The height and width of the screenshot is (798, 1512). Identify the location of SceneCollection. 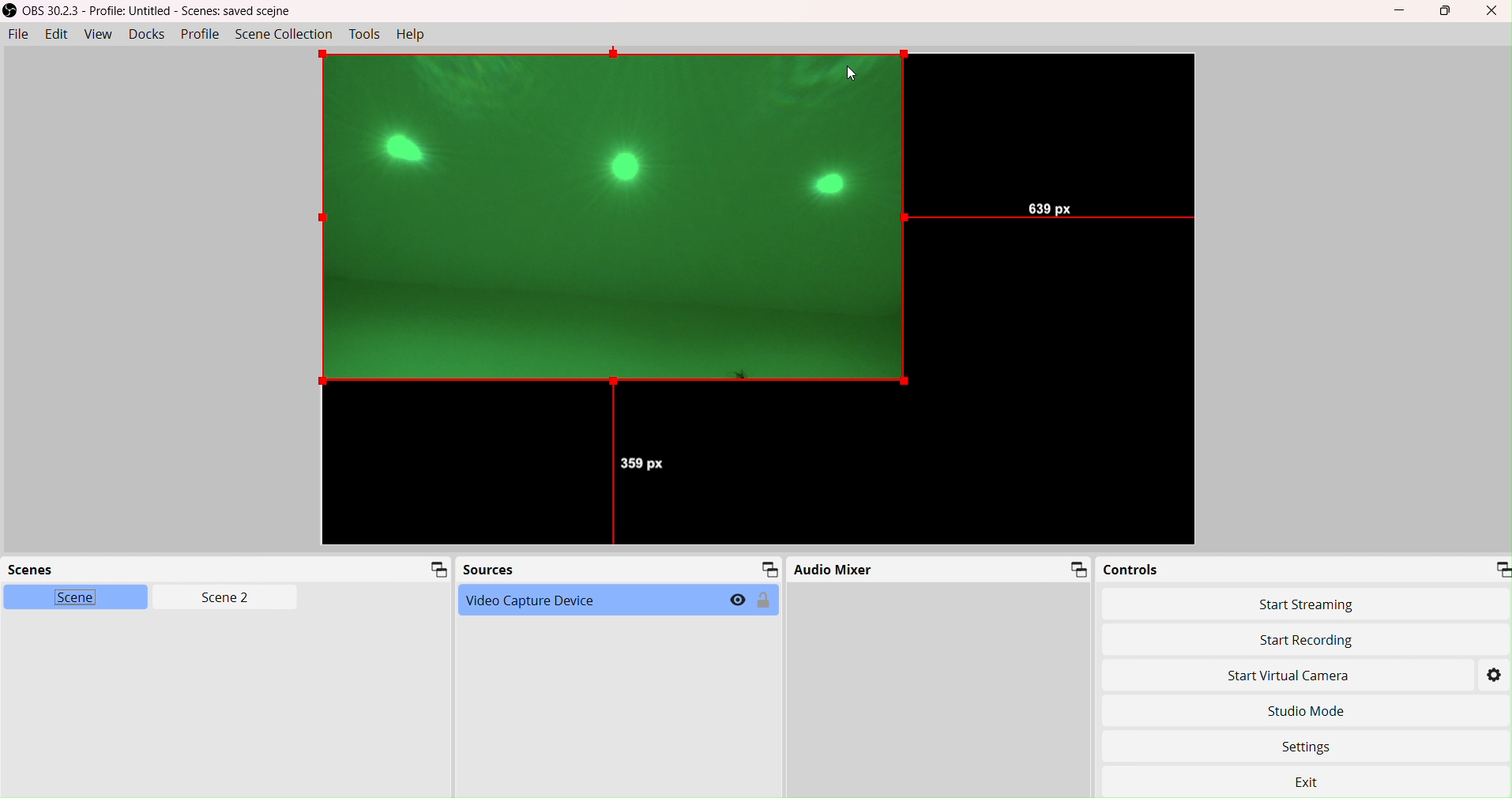
(284, 36).